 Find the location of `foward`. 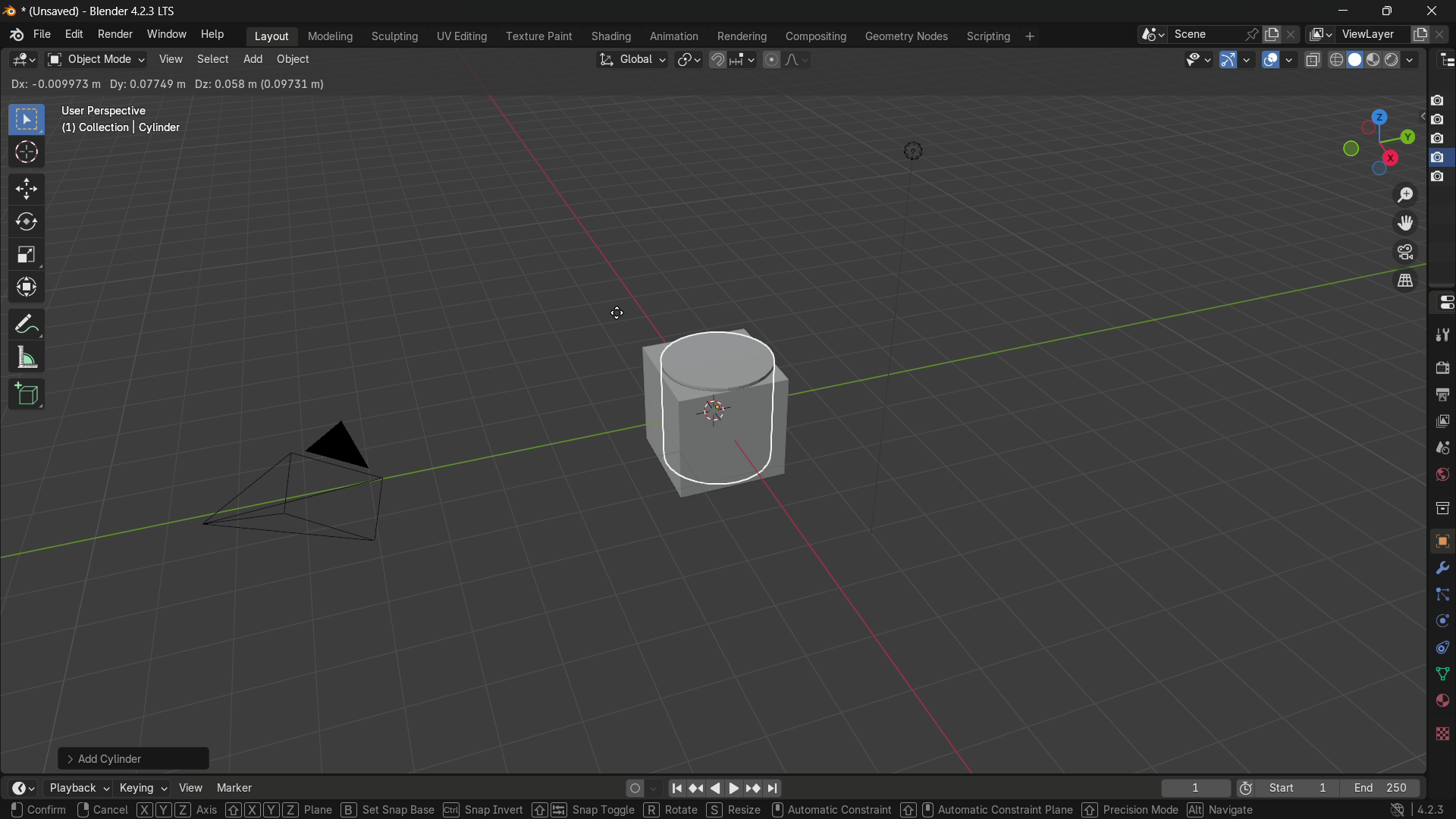

foward is located at coordinates (734, 788).